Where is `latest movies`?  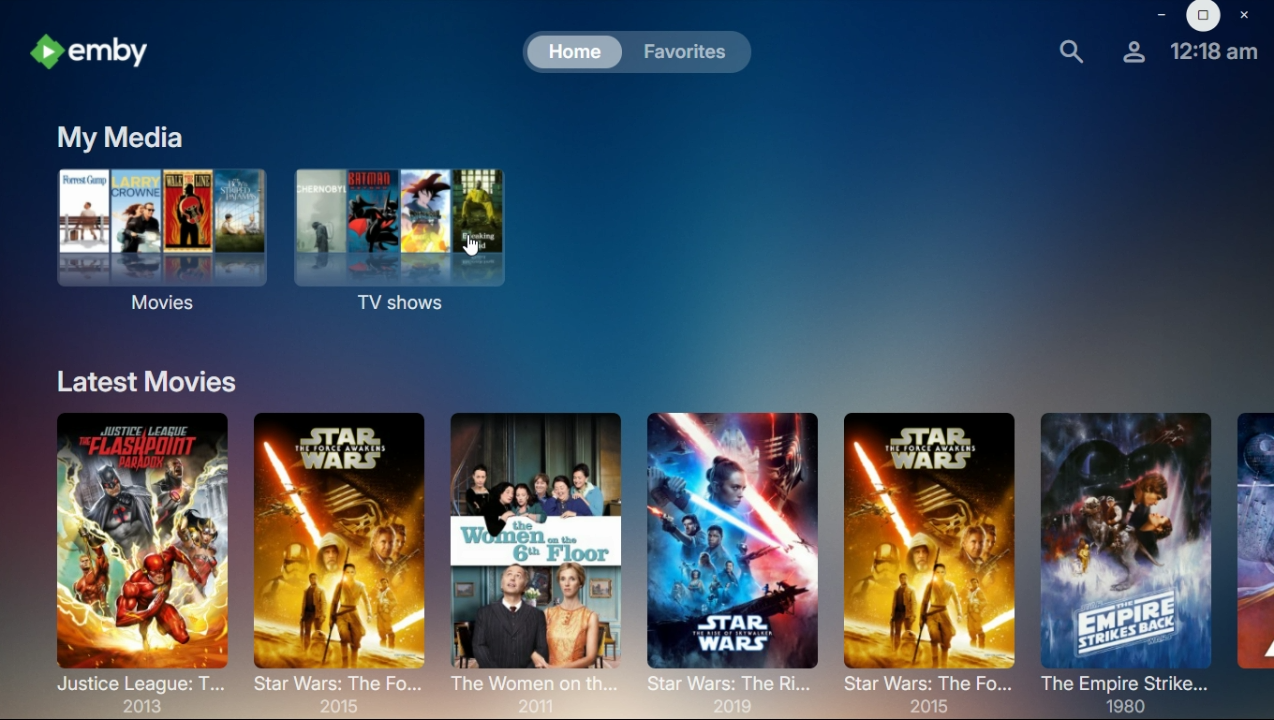 latest movies is located at coordinates (152, 378).